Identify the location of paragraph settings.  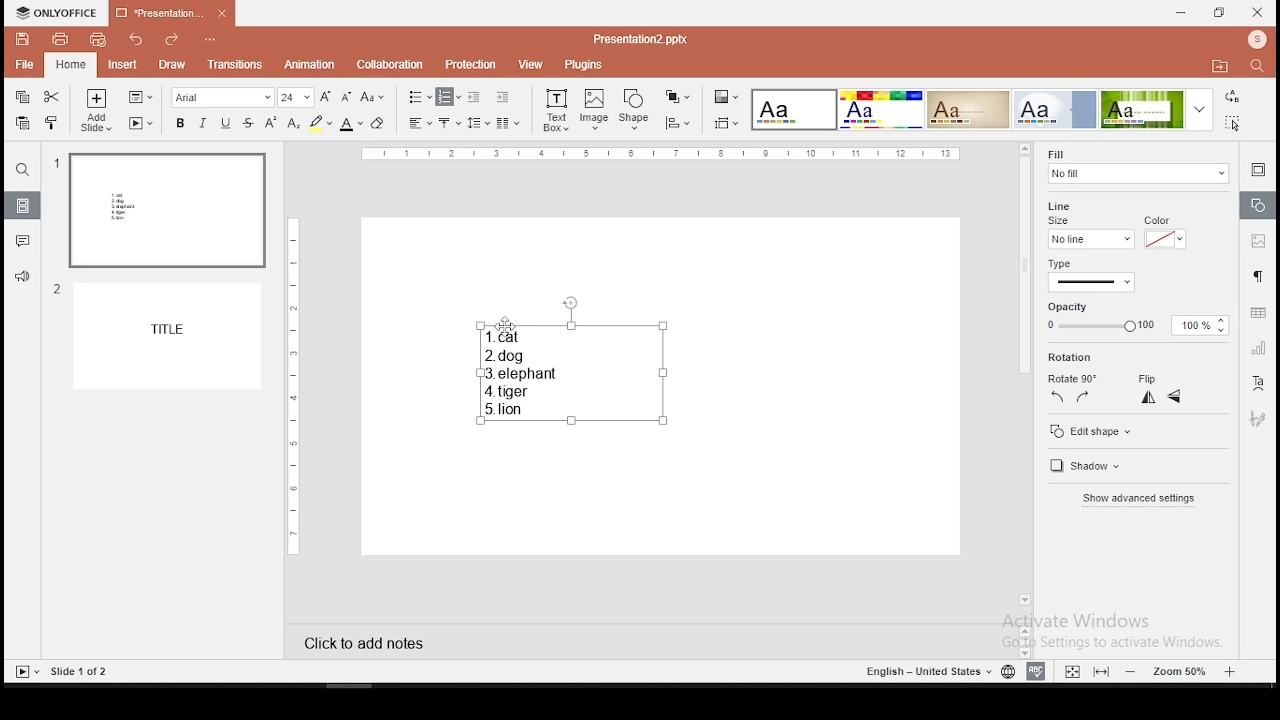
(1257, 278).